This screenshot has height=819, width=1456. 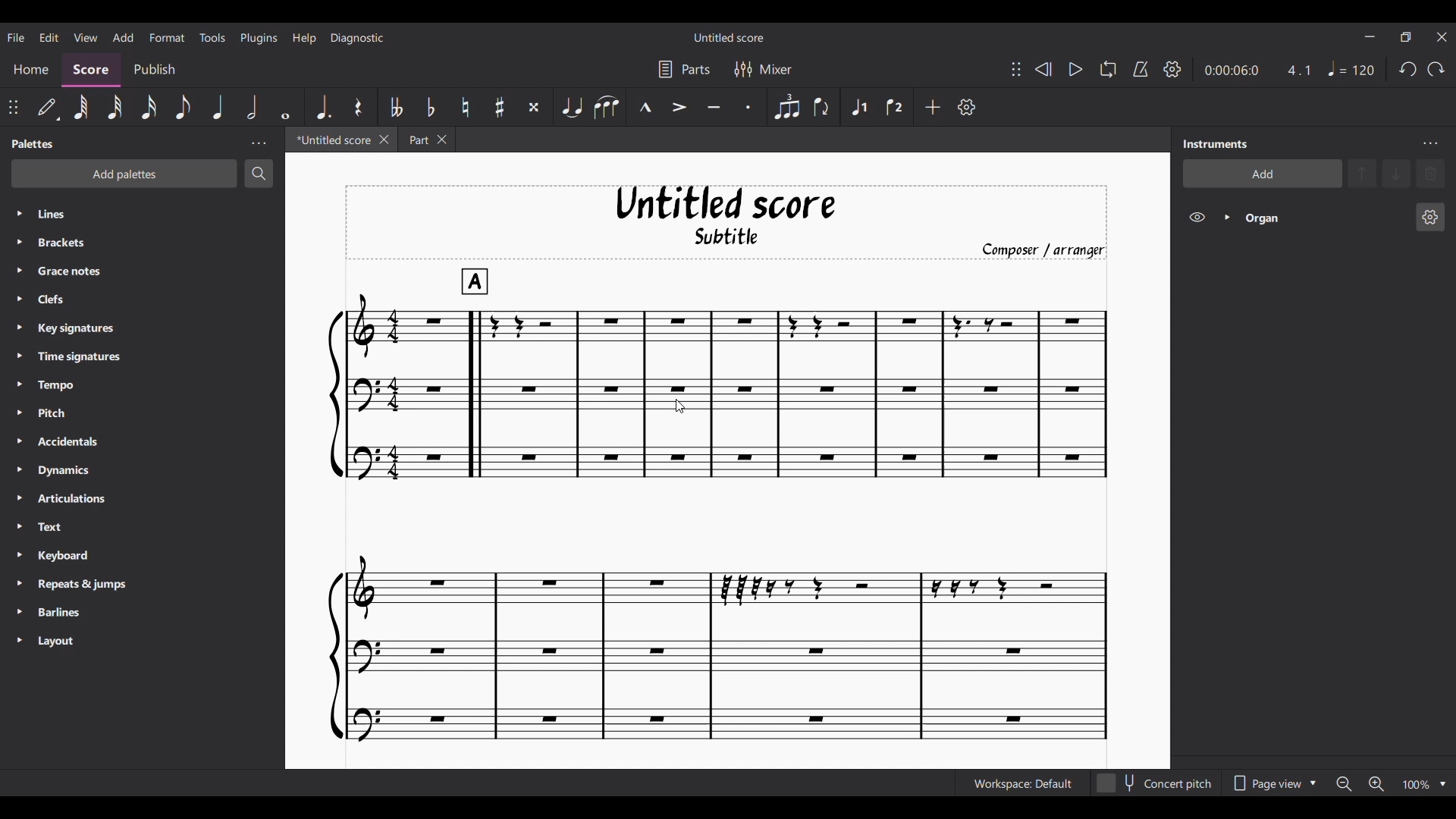 I want to click on 16th note, so click(x=149, y=108).